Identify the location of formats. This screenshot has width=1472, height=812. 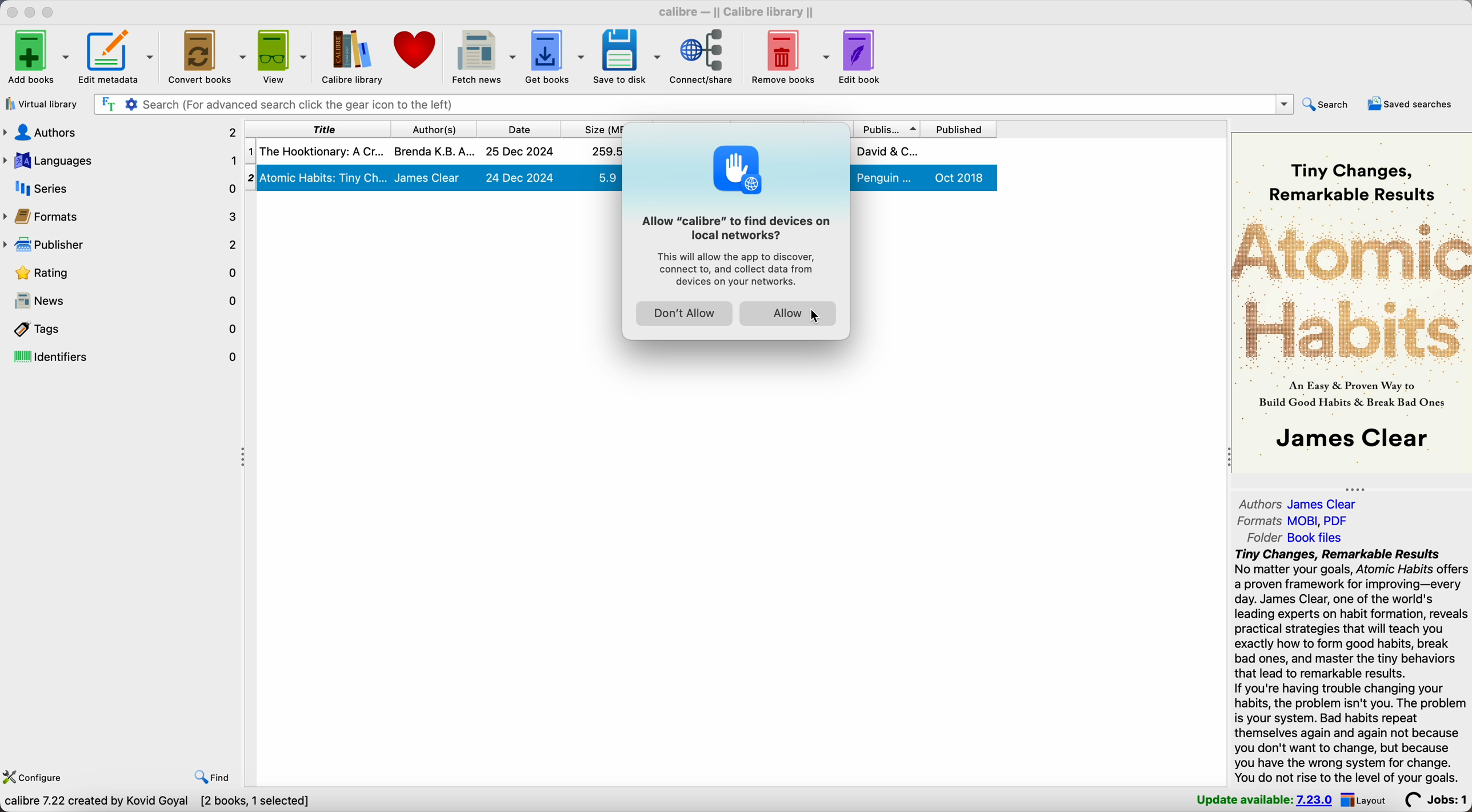
(122, 216).